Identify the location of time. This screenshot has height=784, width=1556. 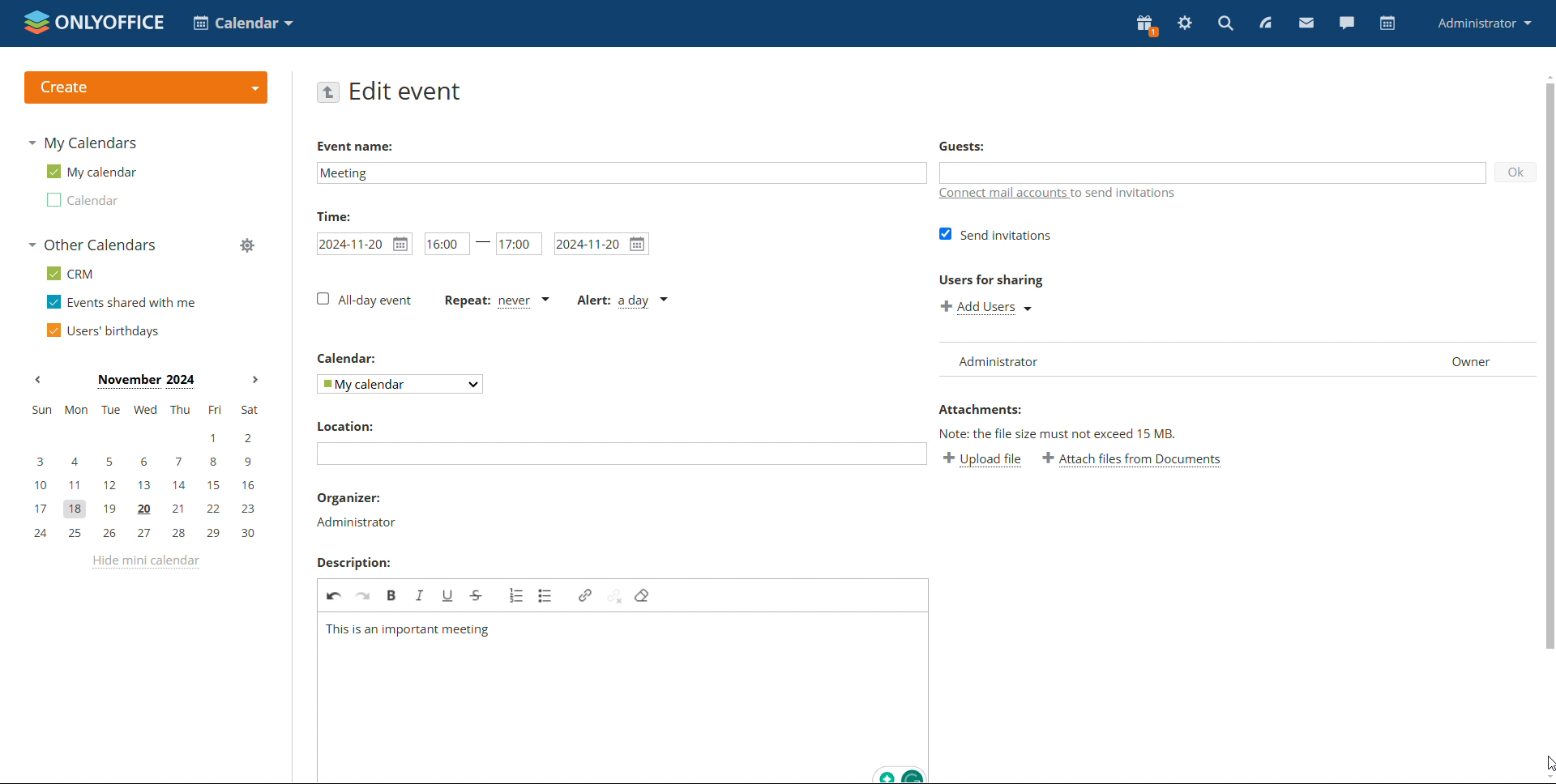
(336, 215).